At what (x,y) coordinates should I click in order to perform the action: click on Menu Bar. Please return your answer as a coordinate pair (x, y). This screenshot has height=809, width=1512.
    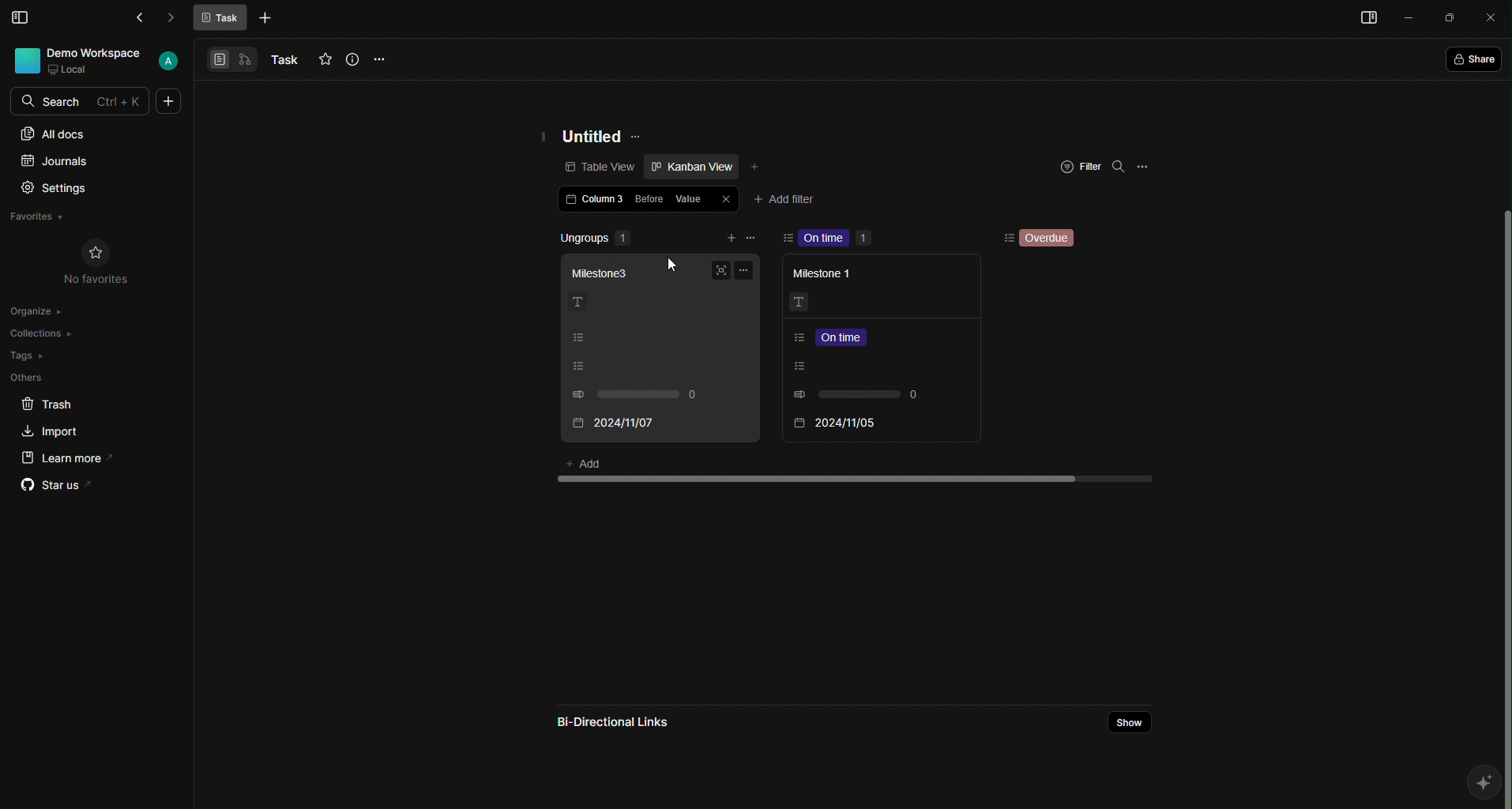
    Looking at the image, I should click on (21, 16).